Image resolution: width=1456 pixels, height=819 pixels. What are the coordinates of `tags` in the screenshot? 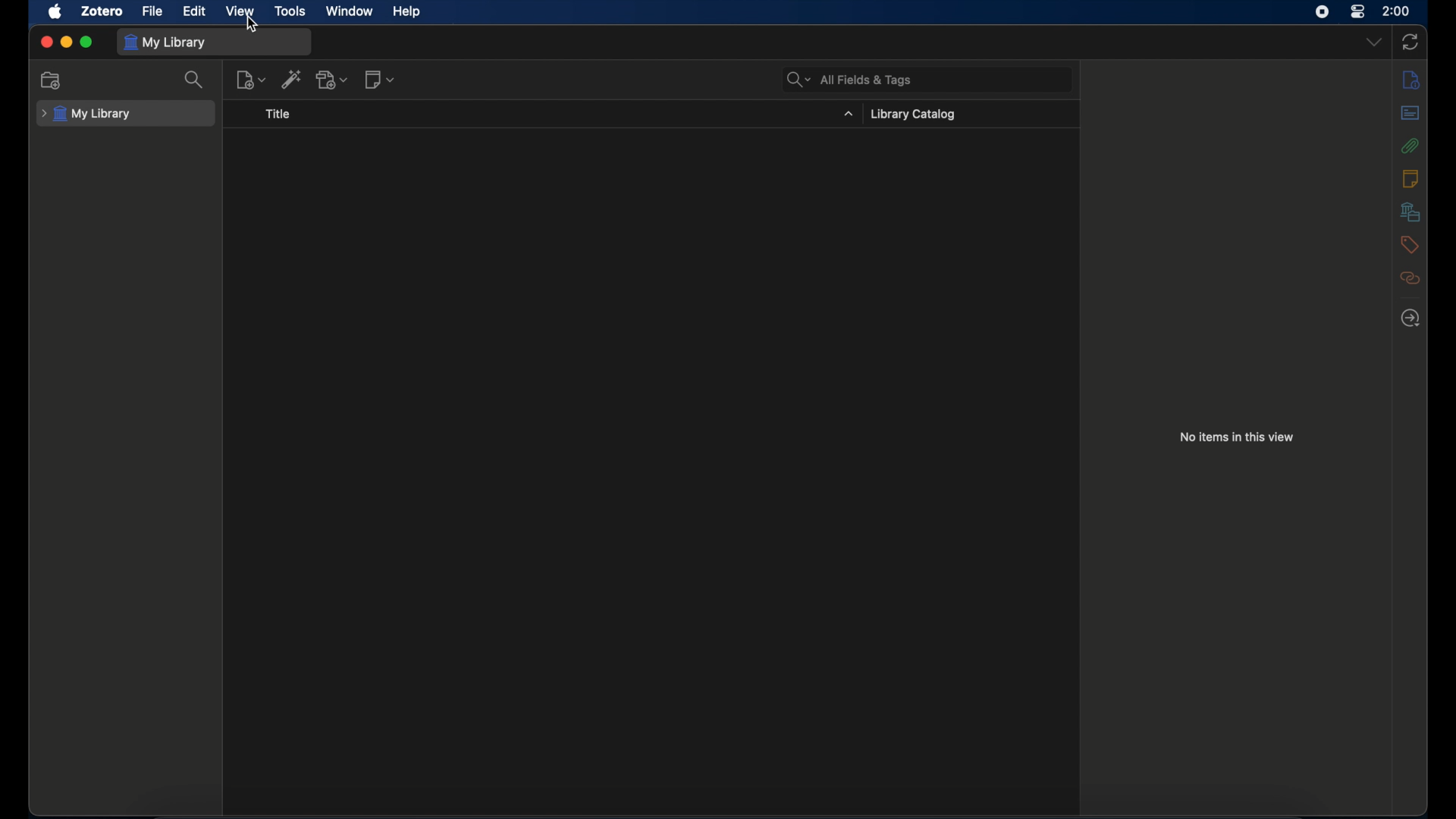 It's located at (1411, 245).